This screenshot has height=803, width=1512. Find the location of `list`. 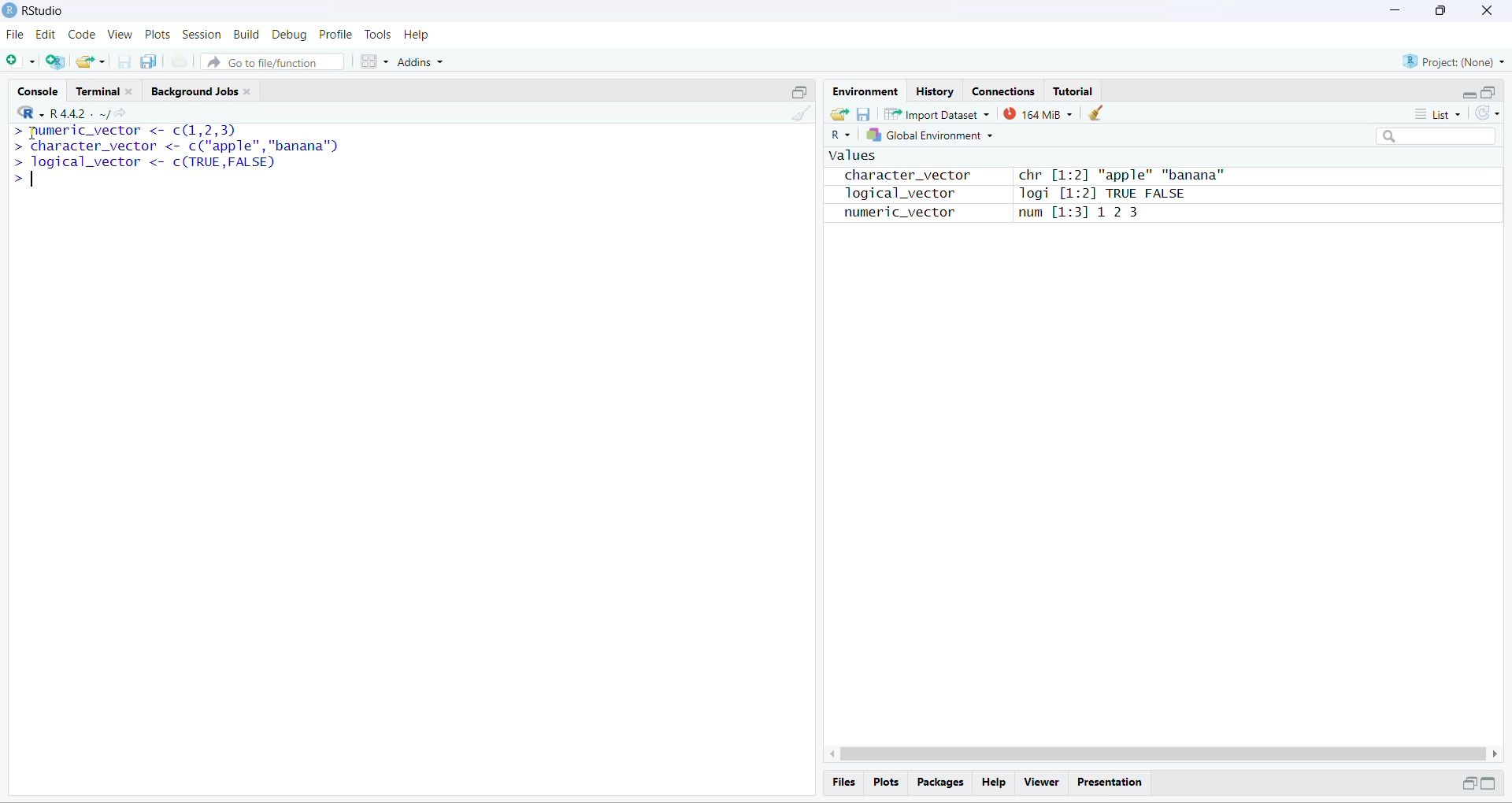

list is located at coordinates (1443, 113).